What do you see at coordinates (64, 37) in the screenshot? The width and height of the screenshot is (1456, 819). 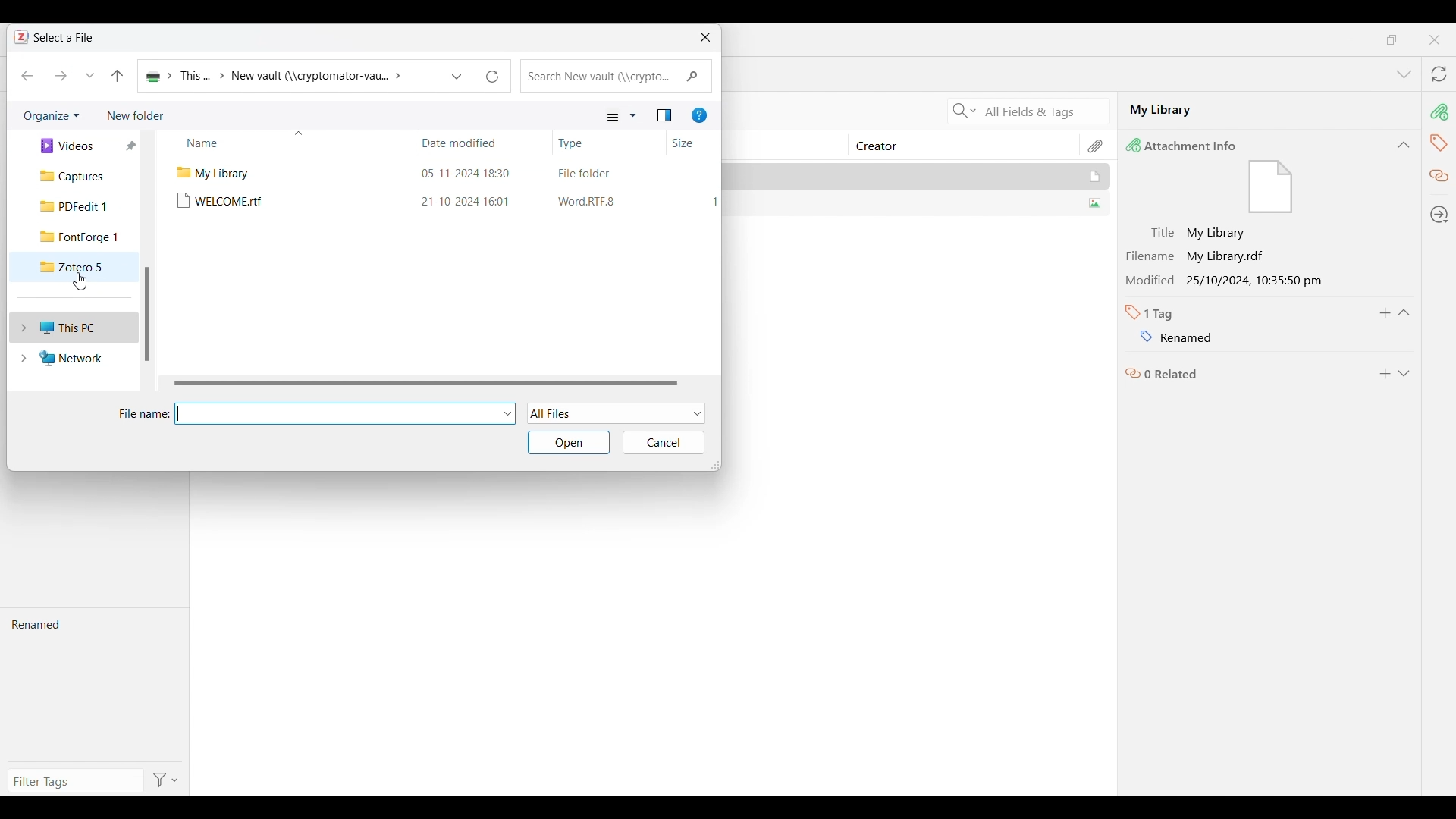 I see `Select a File` at bounding box center [64, 37].